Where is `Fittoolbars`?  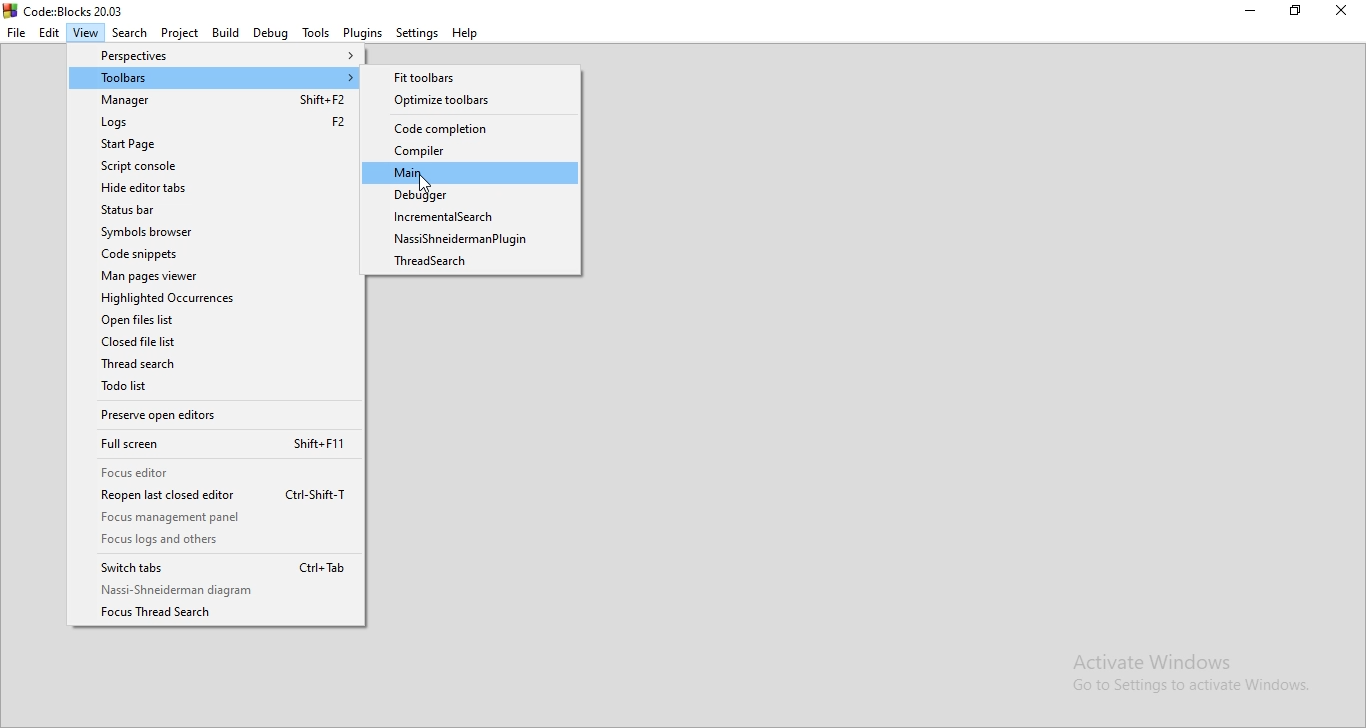
Fittoolbars is located at coordinates (475, 78).